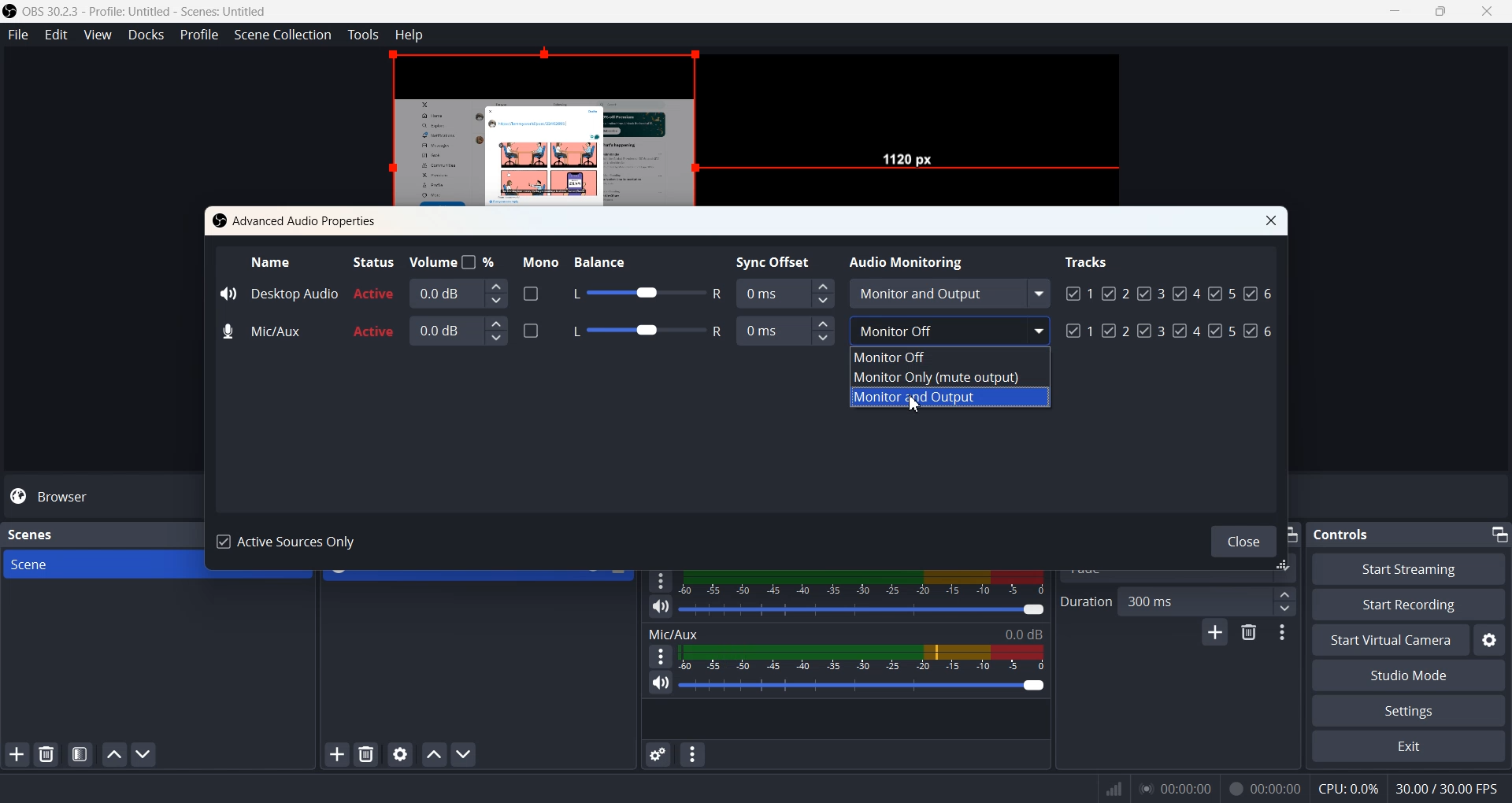  I want to click on Sync Offset , so click(784, 292).